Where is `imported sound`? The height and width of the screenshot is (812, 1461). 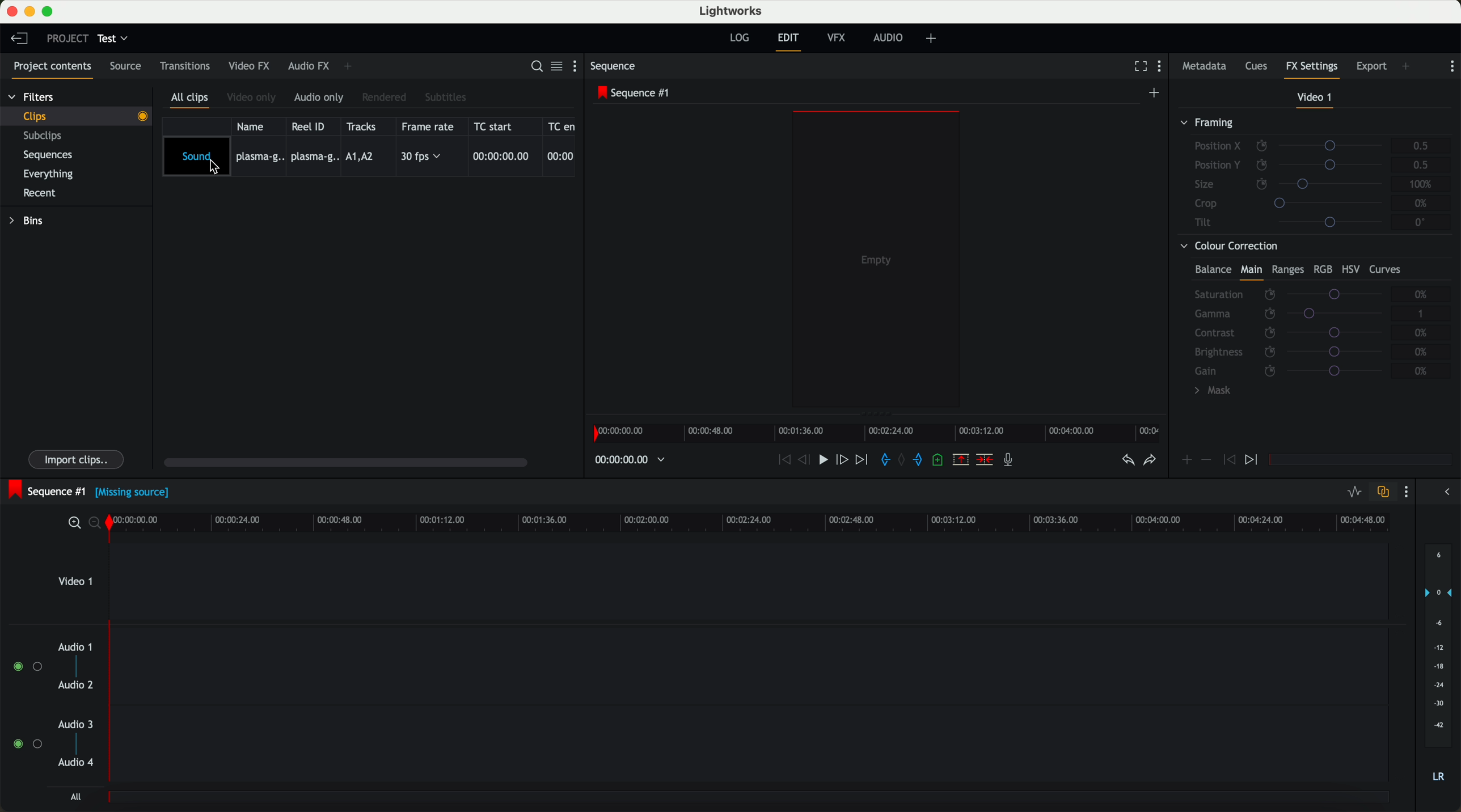
imported sound is located at coordinates (369, 157).